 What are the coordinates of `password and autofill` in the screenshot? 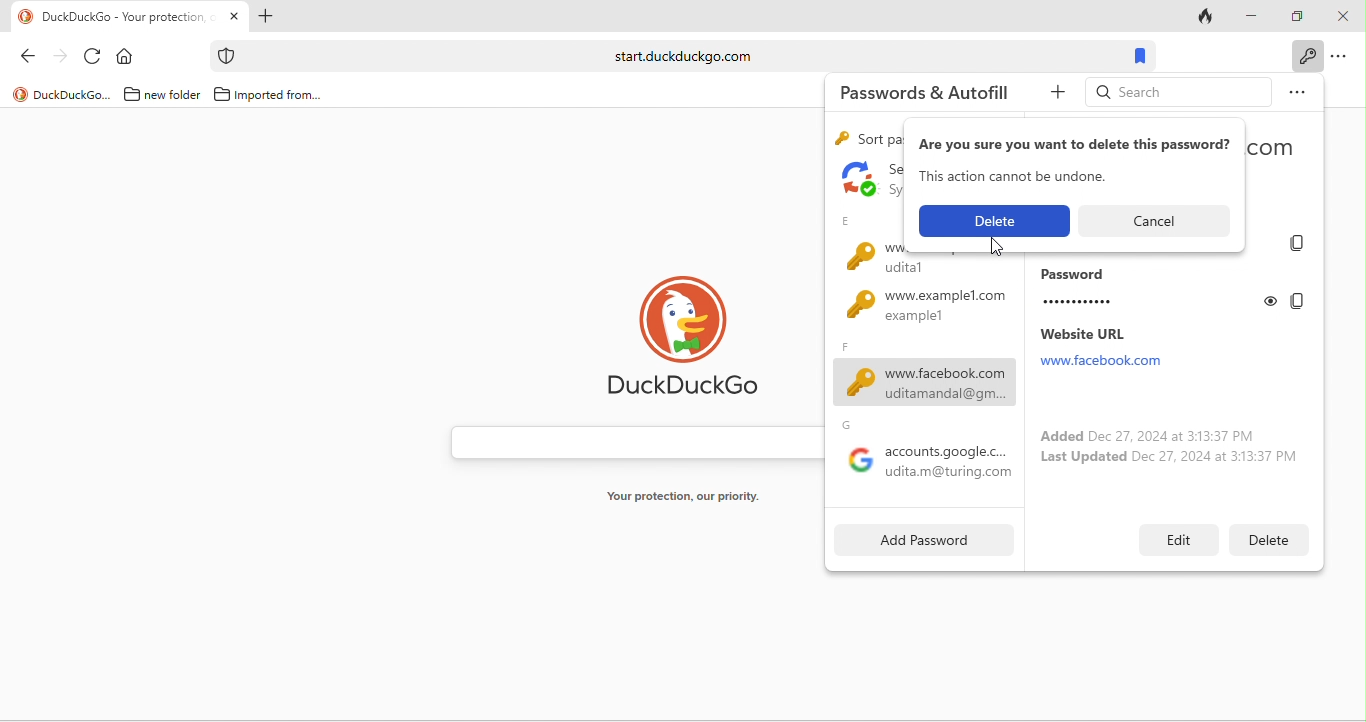 It's located at (1305, 56).